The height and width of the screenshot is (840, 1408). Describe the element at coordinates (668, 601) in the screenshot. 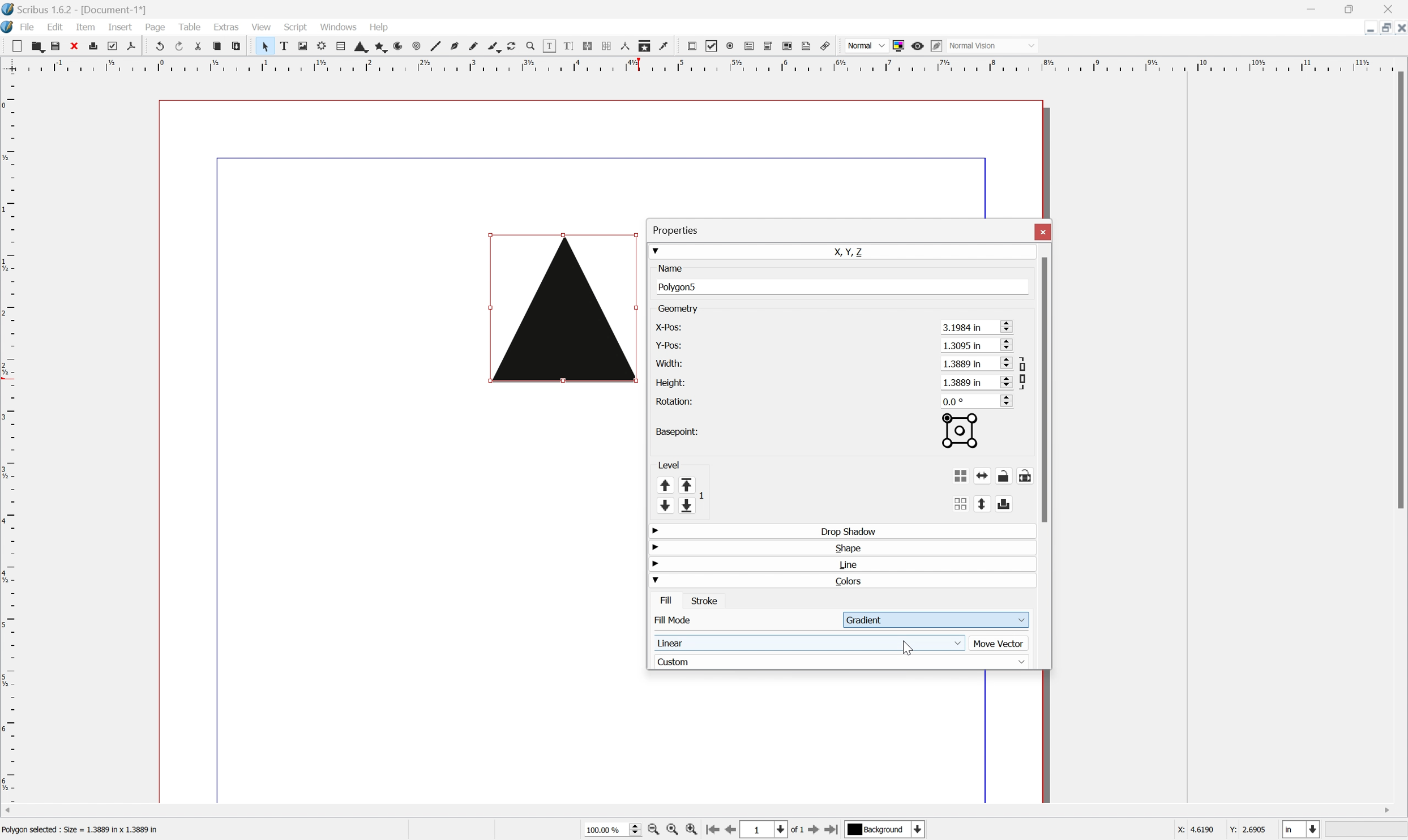

I see `Fill` at that location.